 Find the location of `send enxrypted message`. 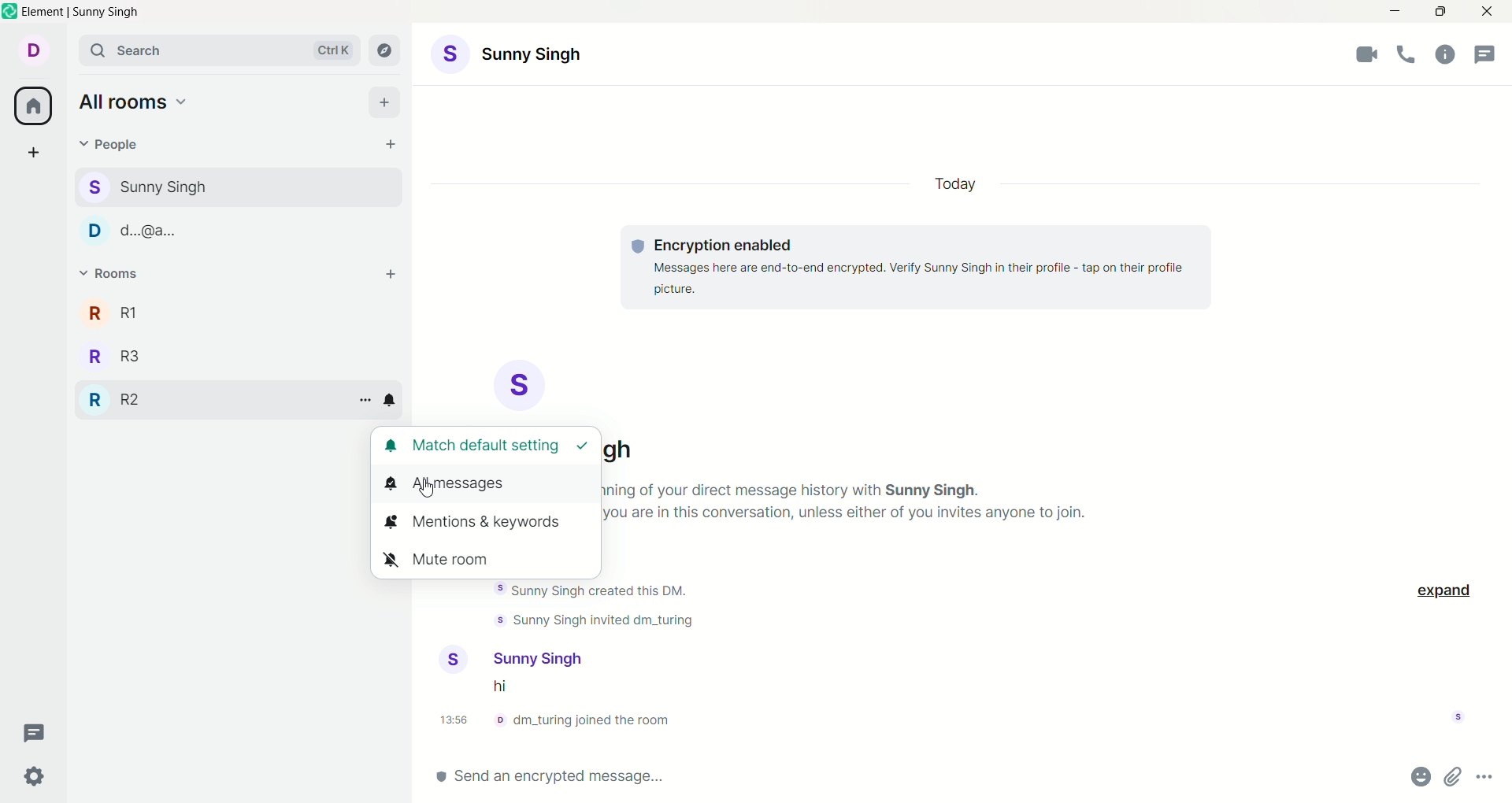

send enxrypted message is located at coordinates (573, 773).